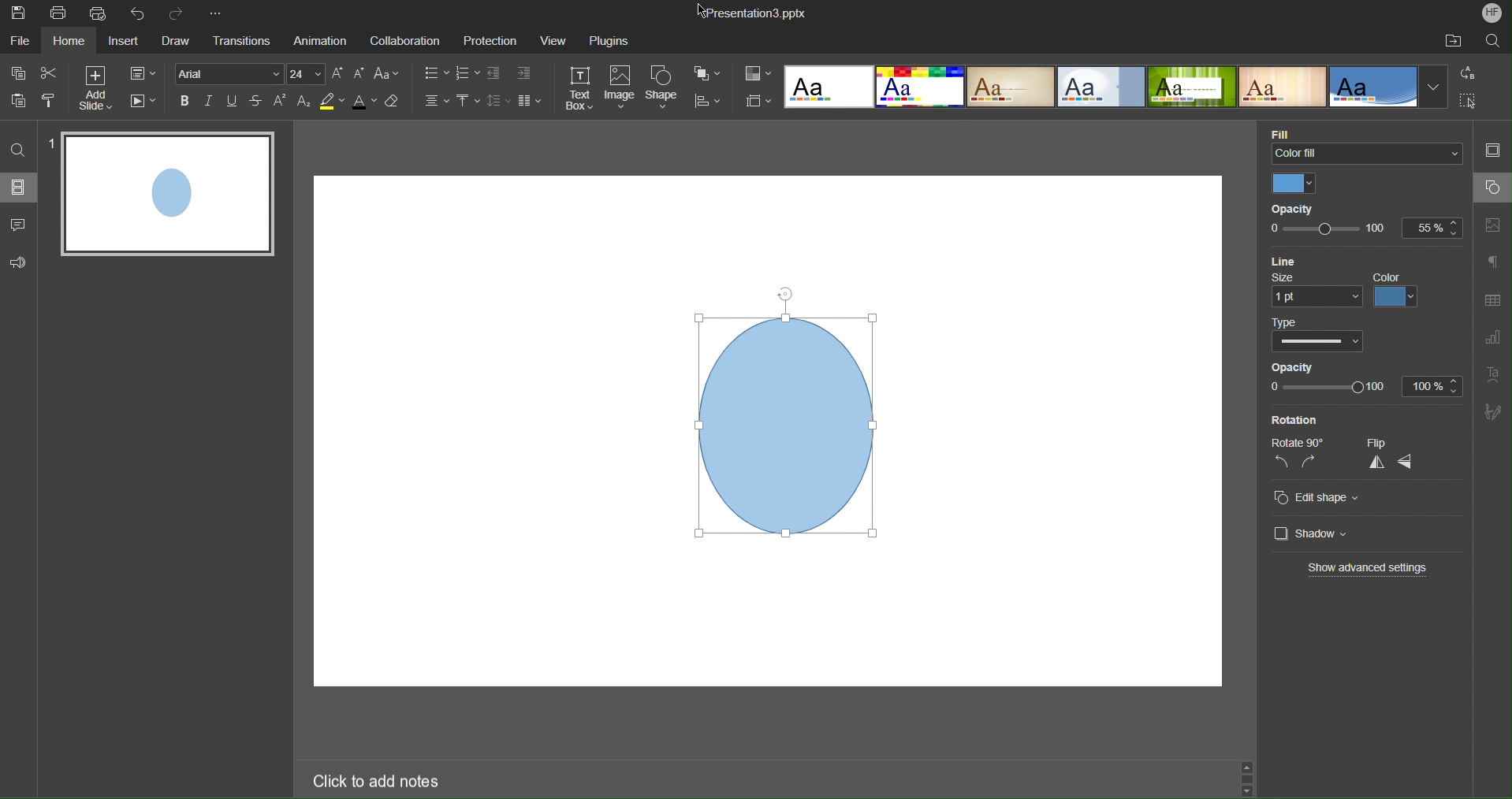 Image resolution: width=1512 pixels, height=799 pixels. What do you see at coordinates (579, 87) in the screenshot?
I see `Text Box` at bounding box center [579, 87].